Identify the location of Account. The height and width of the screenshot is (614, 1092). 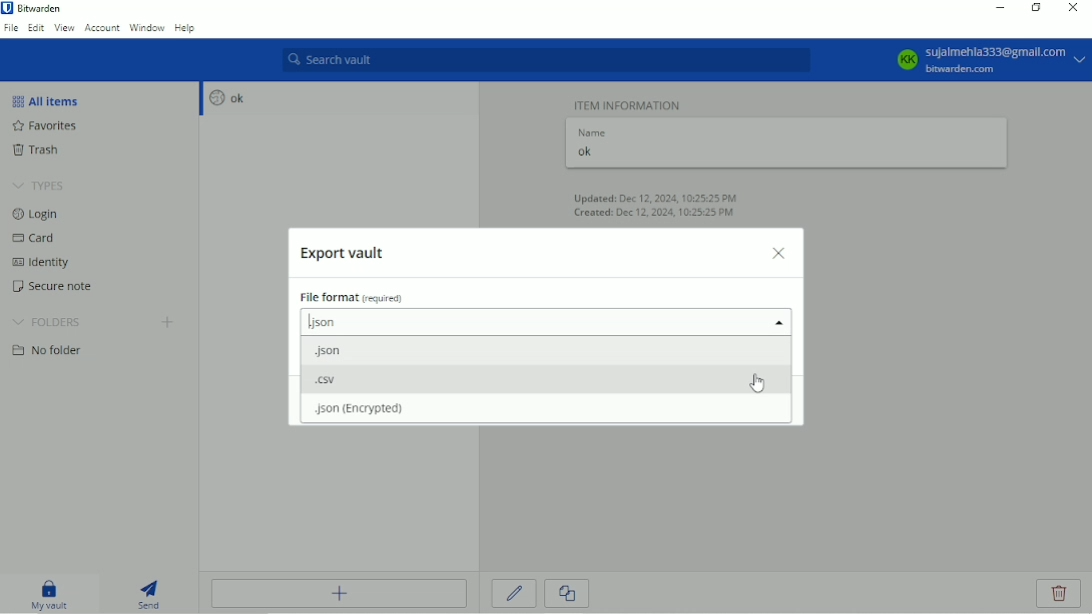
(102, 27).